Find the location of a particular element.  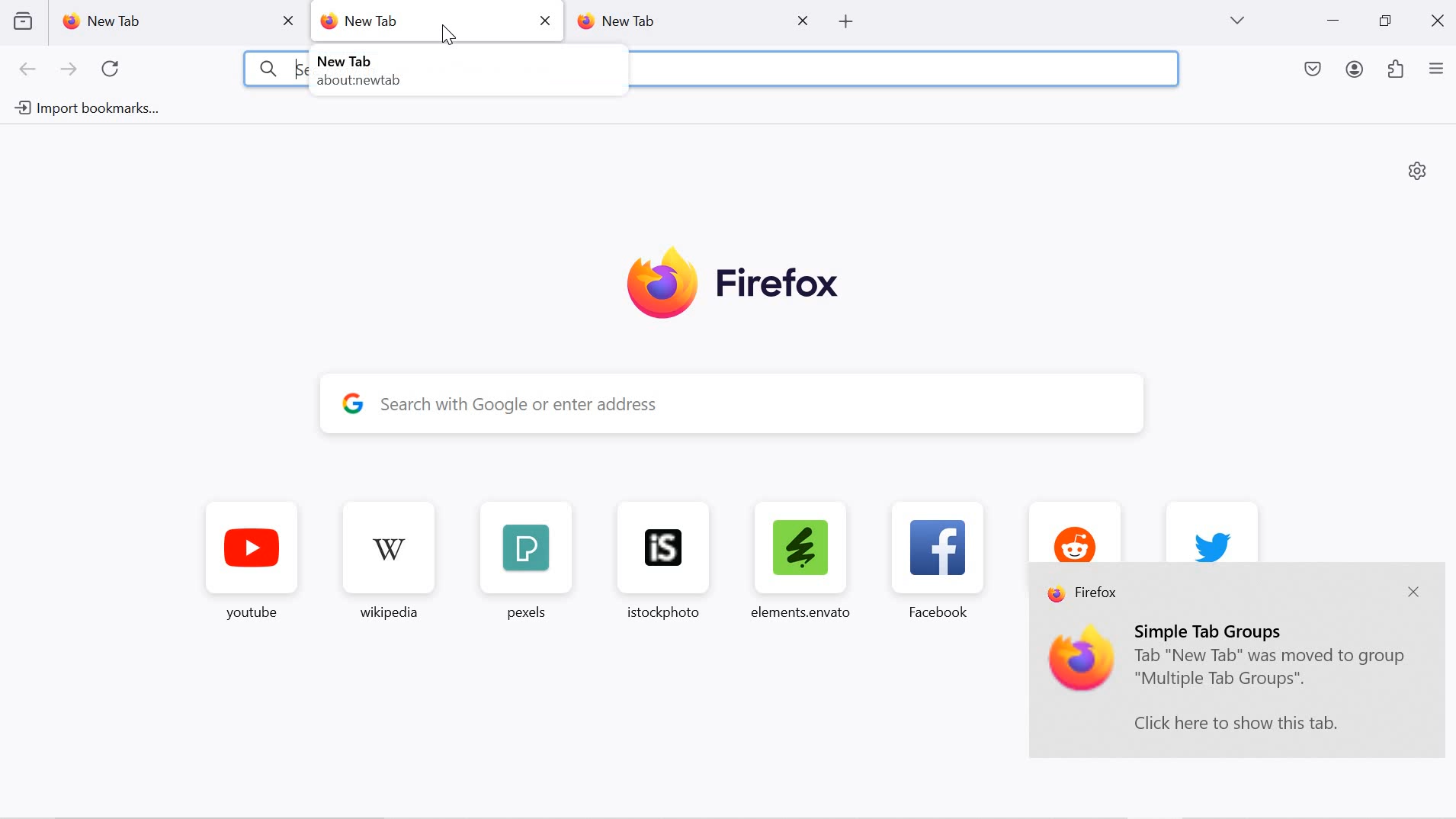

close is located at coordinates (805, 19).